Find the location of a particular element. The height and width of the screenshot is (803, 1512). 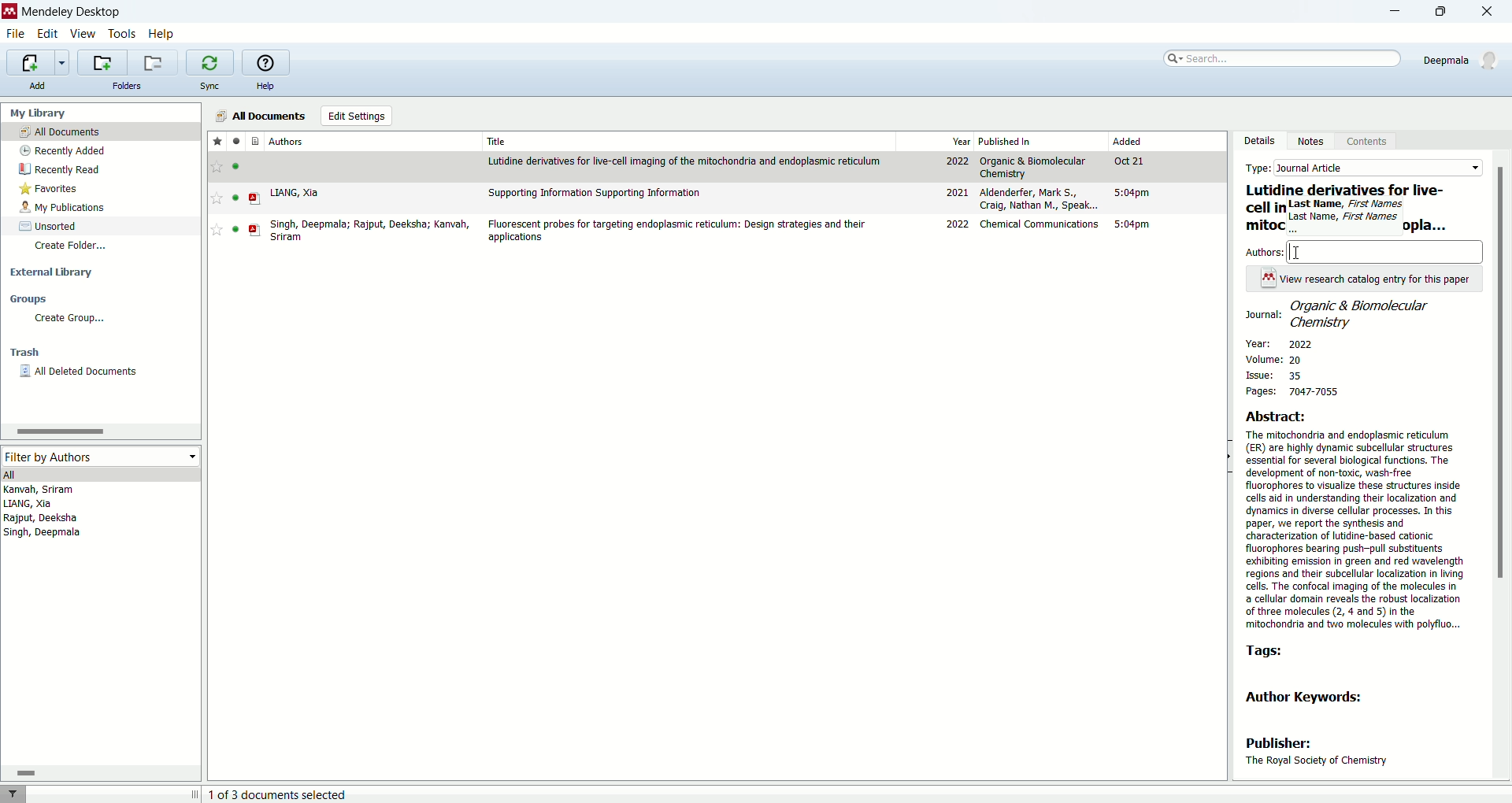

search is located at coordinates (1275, 60).